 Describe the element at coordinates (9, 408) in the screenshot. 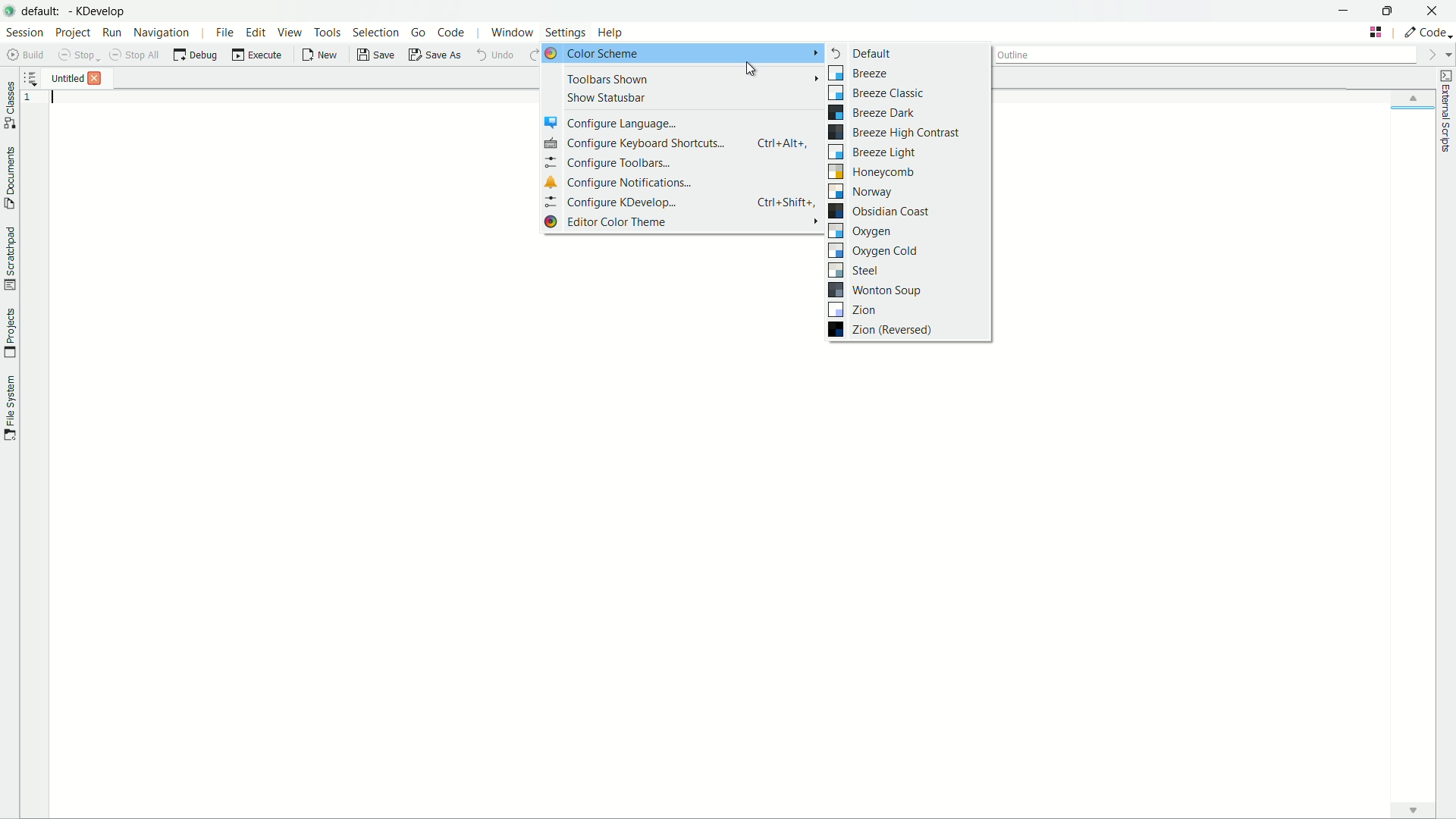

I see `toggle file system` at that location.